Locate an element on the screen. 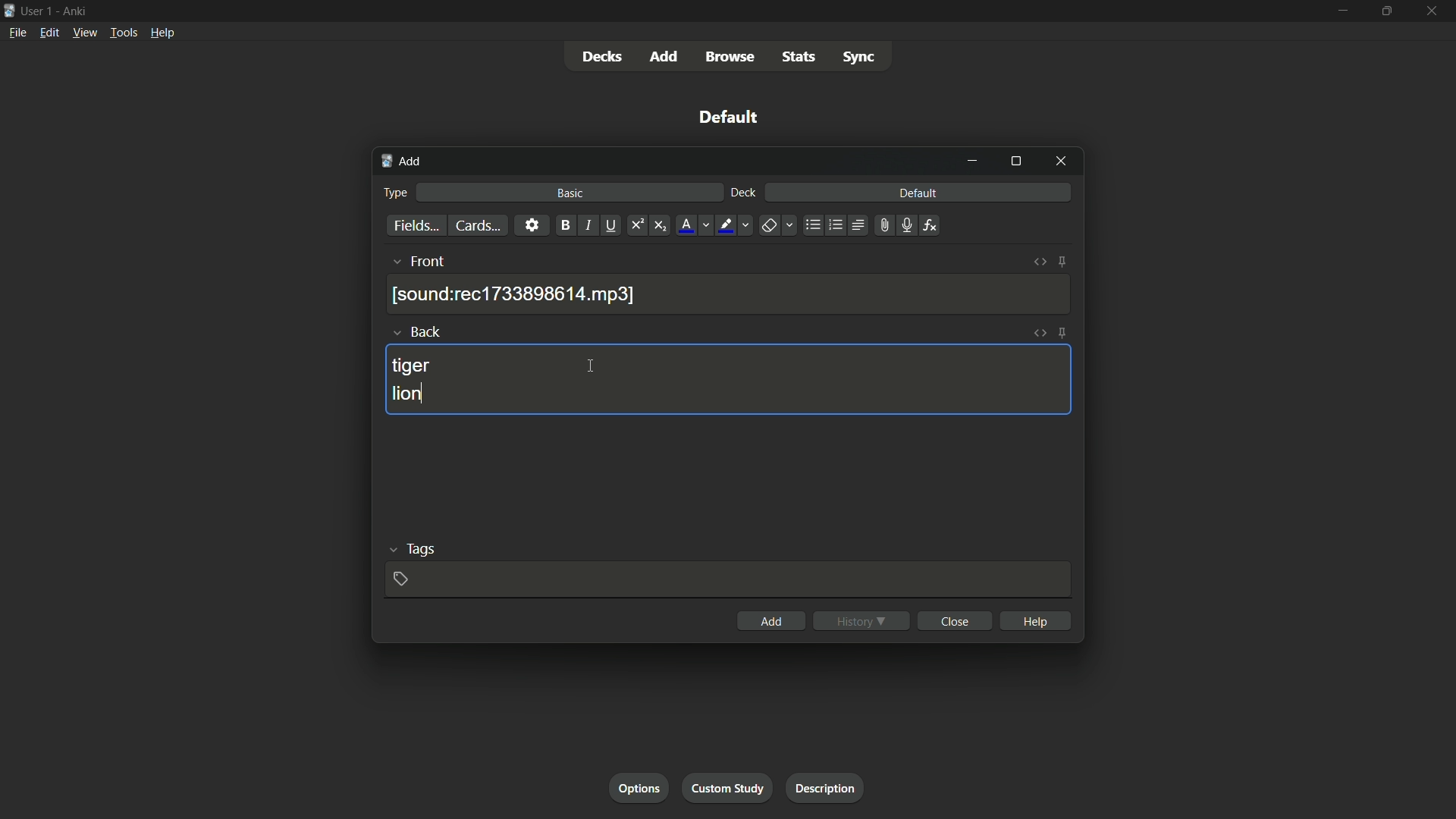  sync is located at coordinates (858, 59).